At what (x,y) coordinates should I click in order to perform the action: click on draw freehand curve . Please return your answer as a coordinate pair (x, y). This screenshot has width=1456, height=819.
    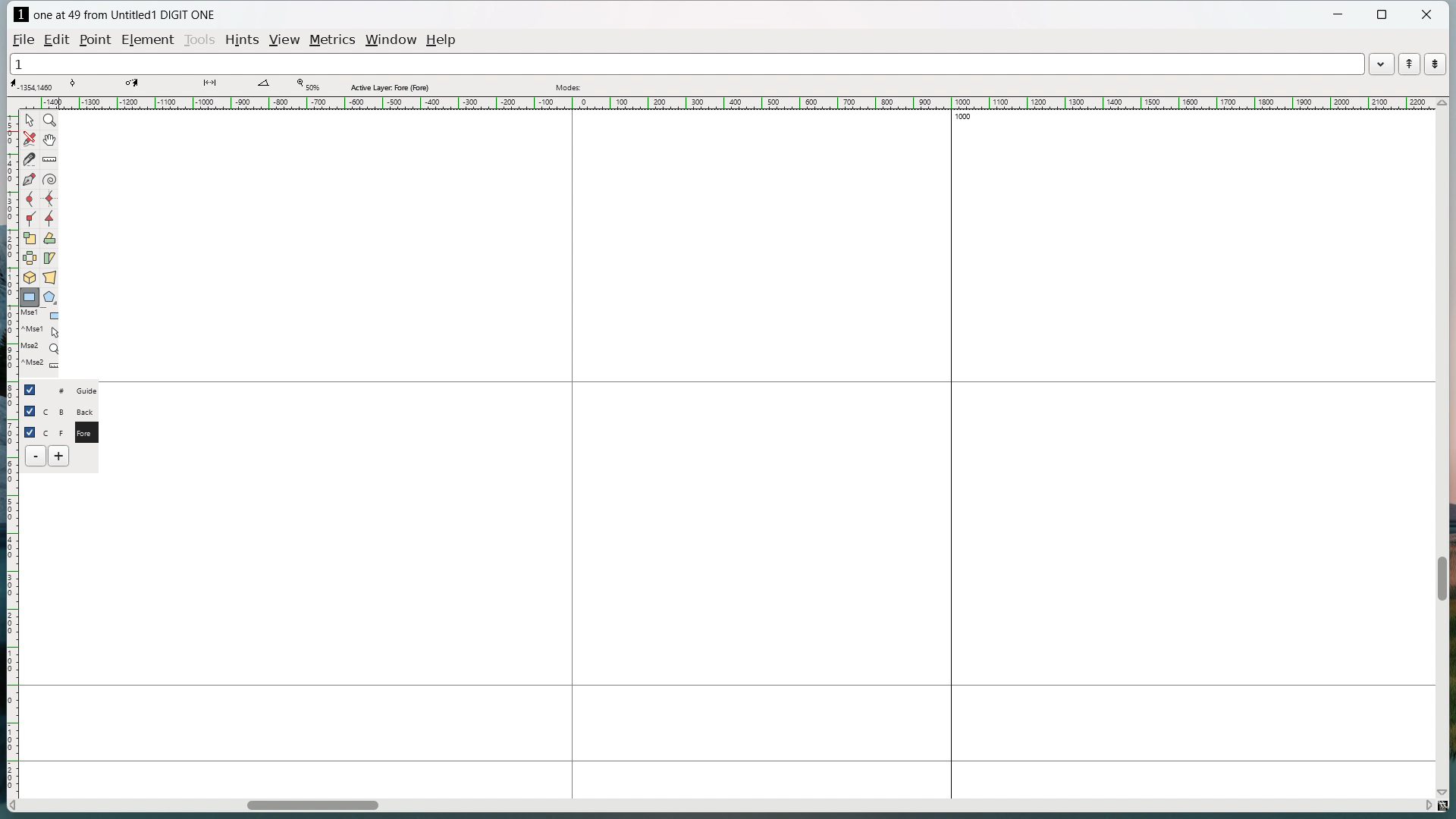
    Looking at the image, I should click on (31, 139).